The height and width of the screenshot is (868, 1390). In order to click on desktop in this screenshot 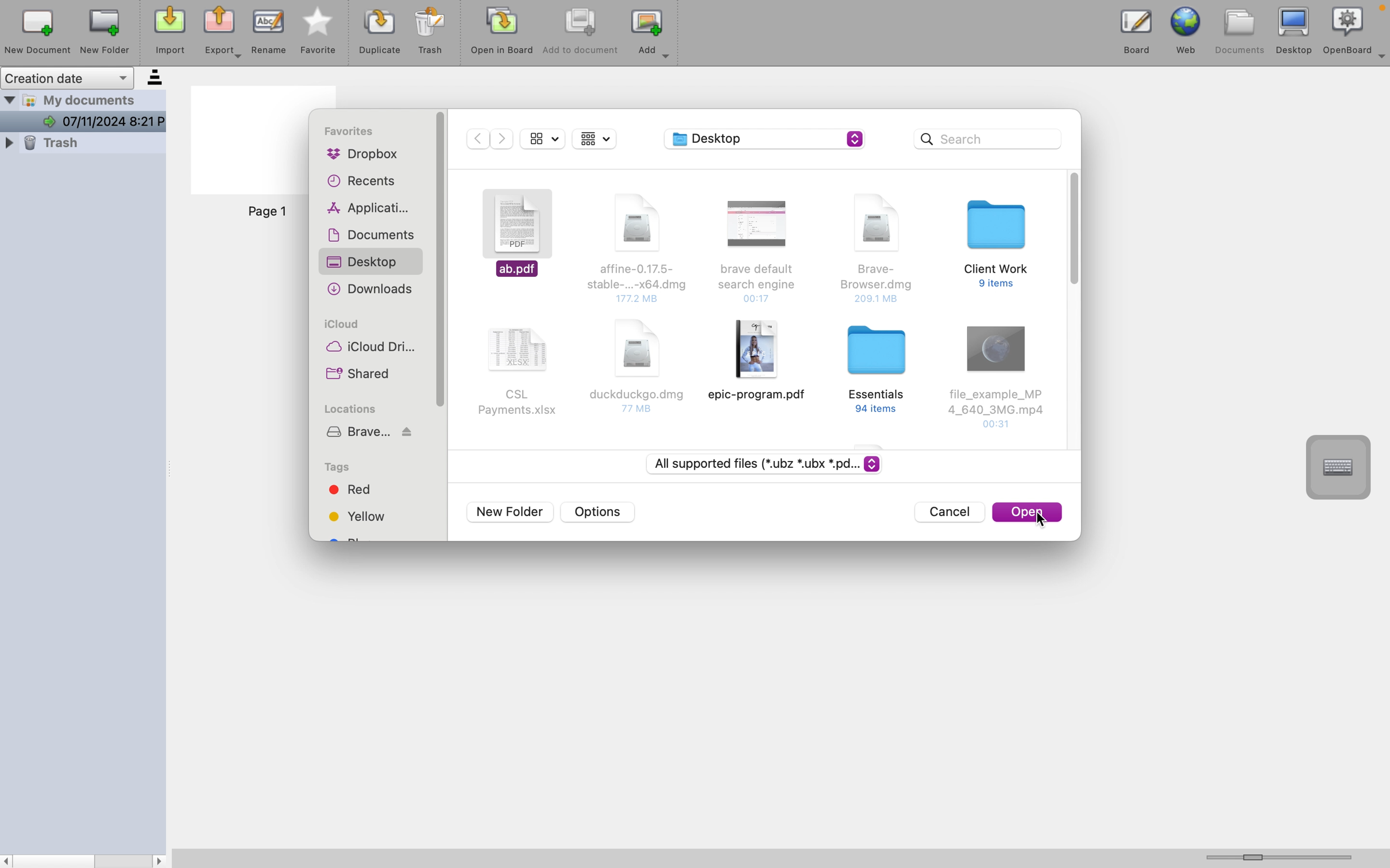, I will do `click(767, 138)`.